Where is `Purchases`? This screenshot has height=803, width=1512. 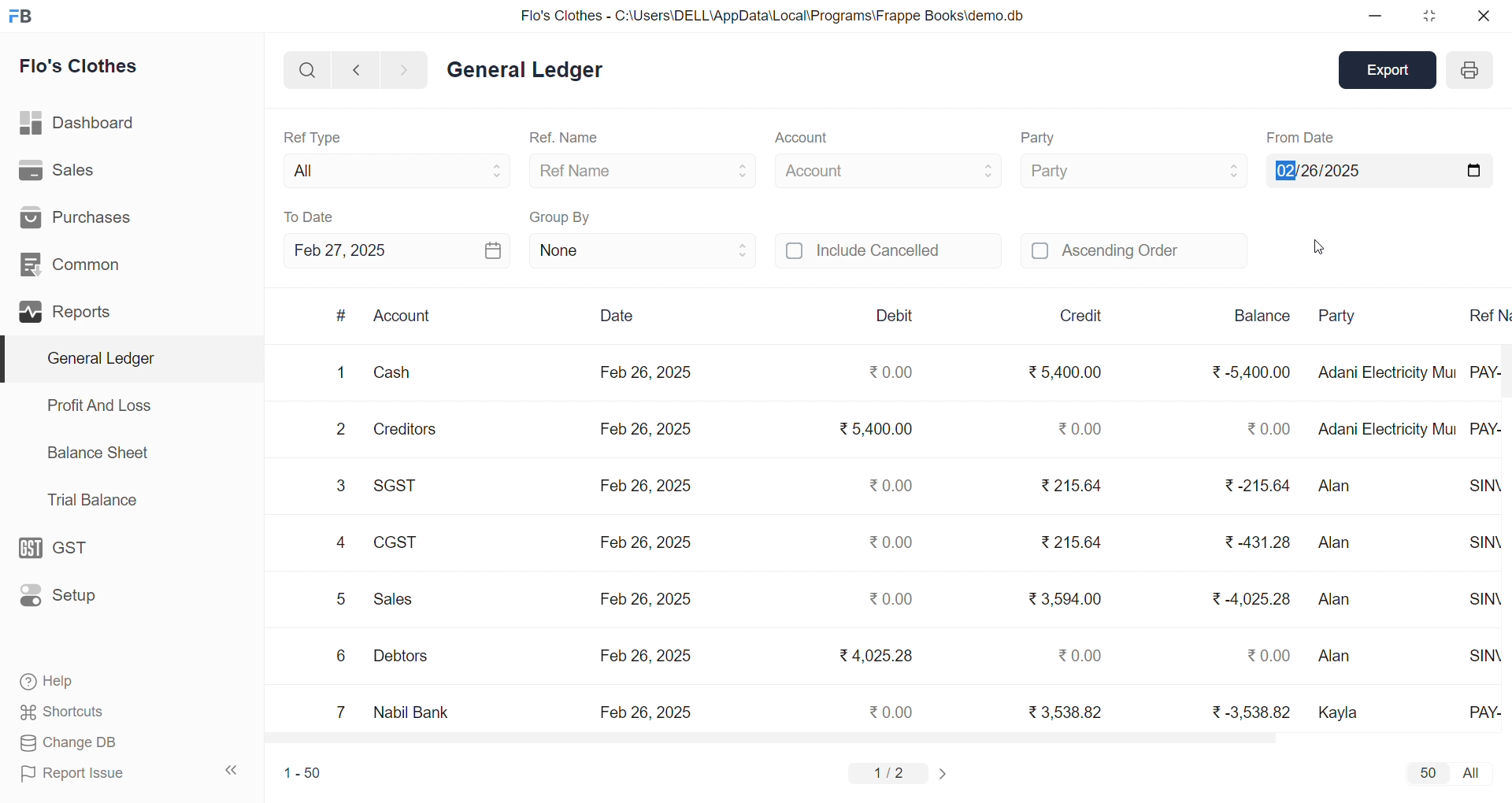
Purchases is located at coordinates (84, 216).